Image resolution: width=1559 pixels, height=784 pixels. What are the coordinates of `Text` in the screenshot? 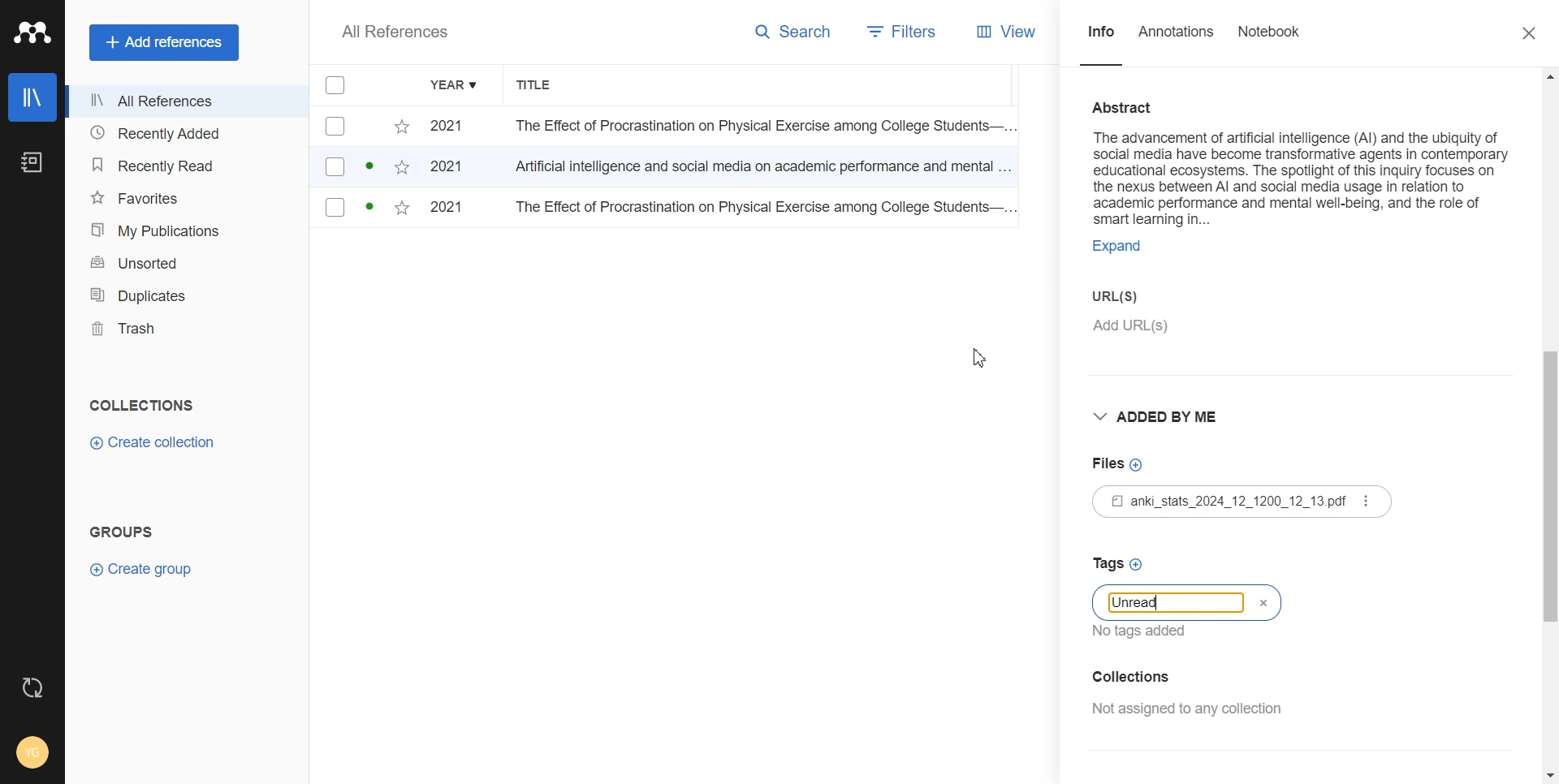 It's located at (1140, 603).